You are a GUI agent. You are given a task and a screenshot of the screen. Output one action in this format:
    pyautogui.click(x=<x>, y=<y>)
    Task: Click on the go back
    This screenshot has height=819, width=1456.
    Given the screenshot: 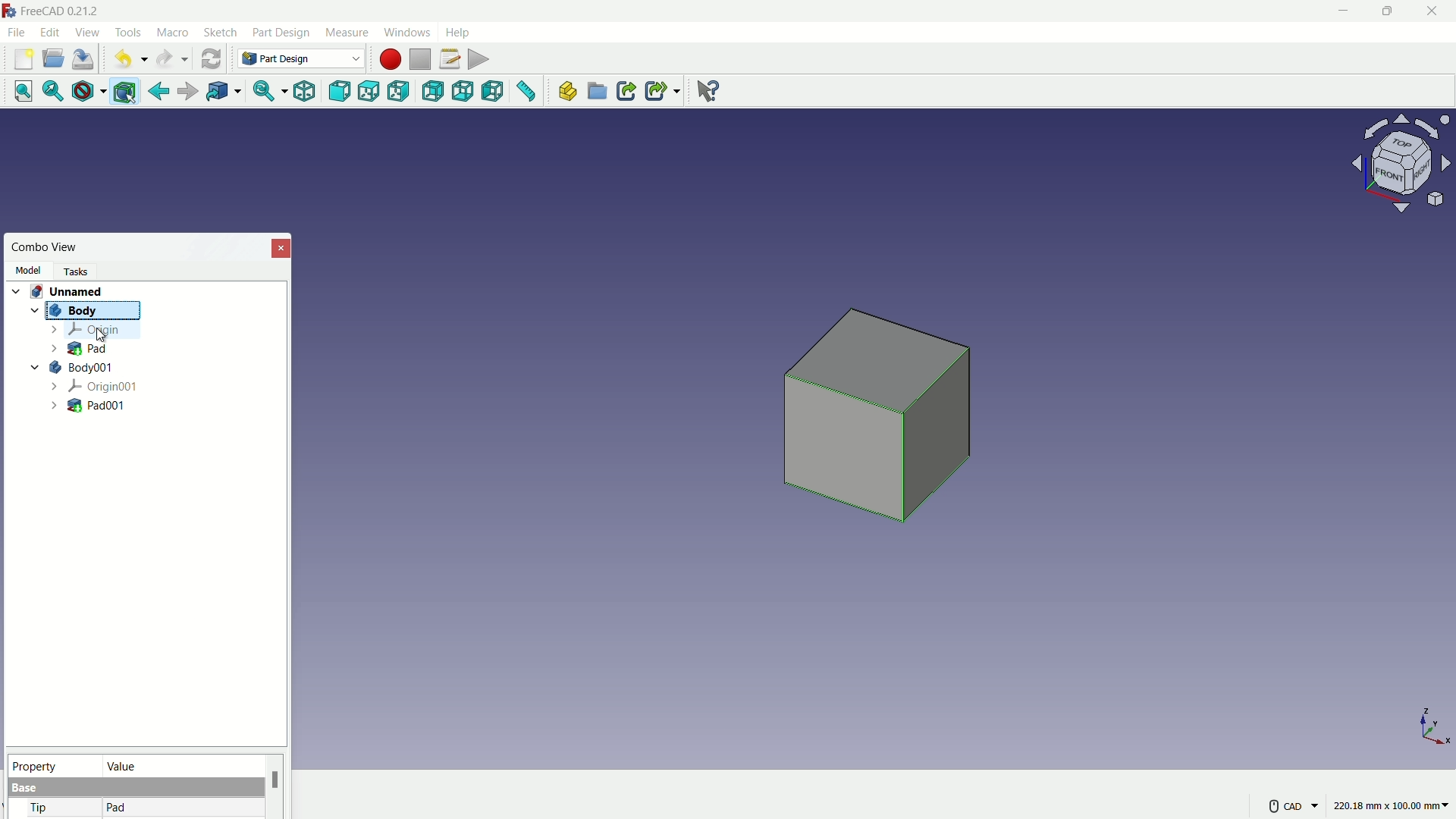 What is the action you would take?
    pyautogui.click(x=159, y=92)
    